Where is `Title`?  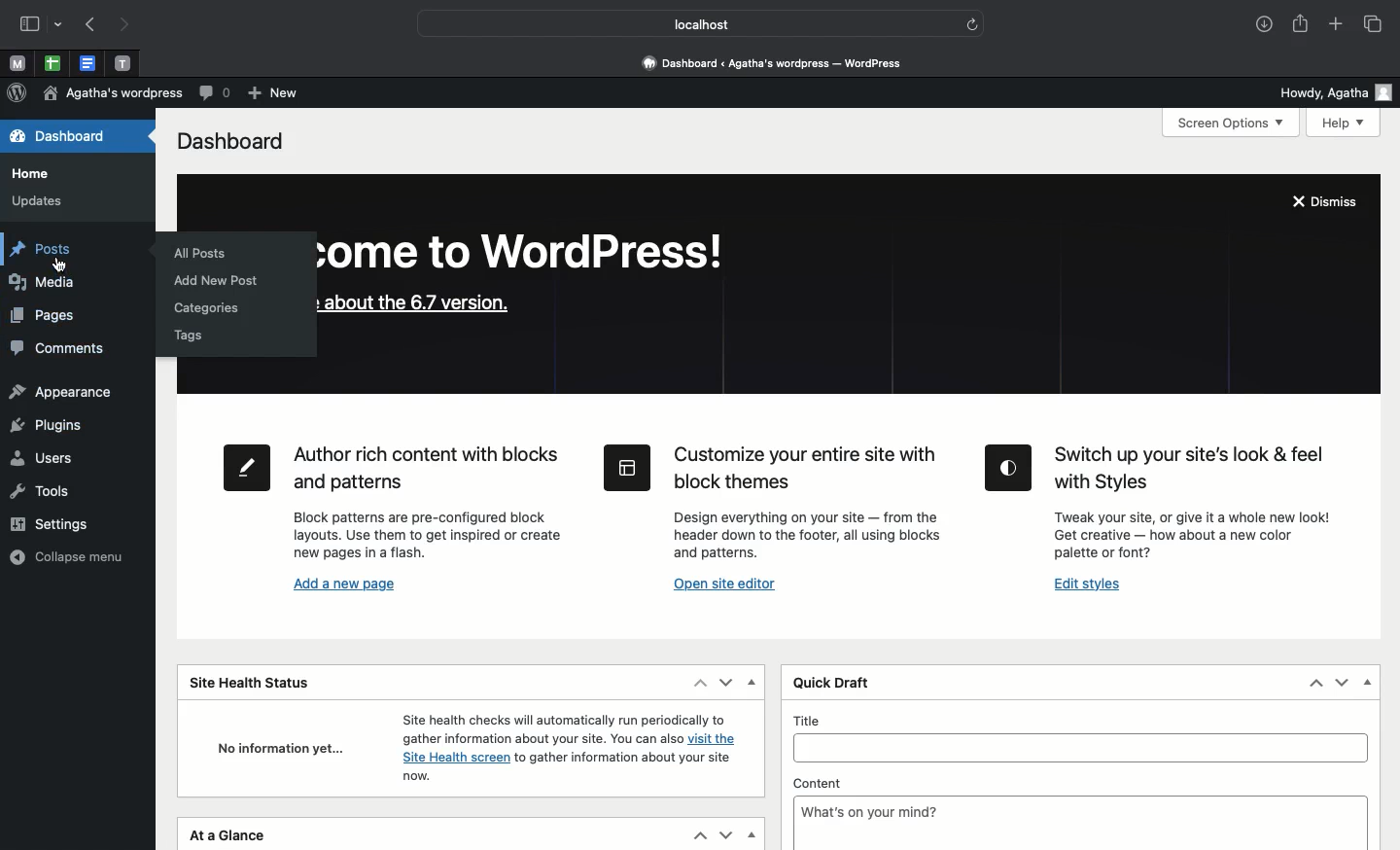 Title is located at coordinates (1081, 720).